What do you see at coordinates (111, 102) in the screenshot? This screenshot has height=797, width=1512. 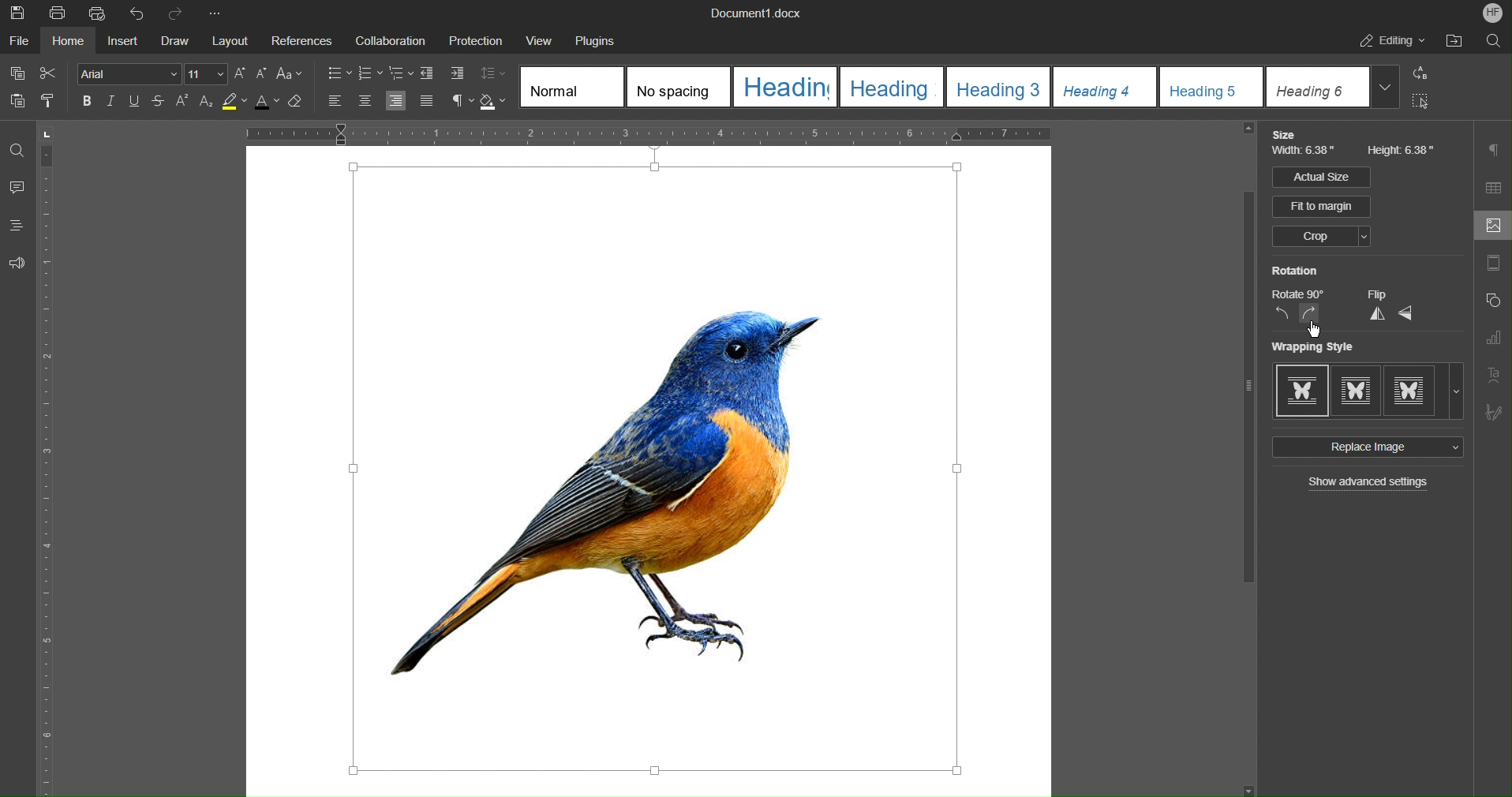 I see `Italic` at bounding box center [111, 102].